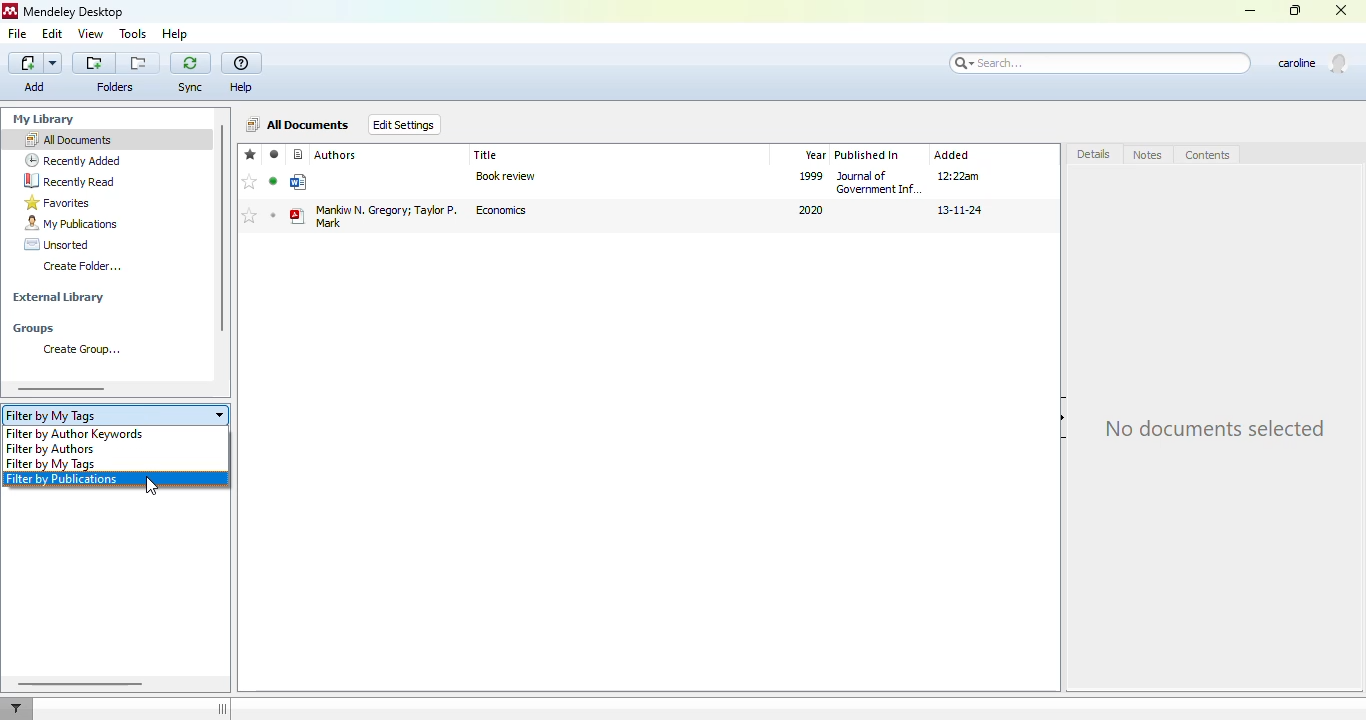  I want to click on minimize, so click(1251, 11).